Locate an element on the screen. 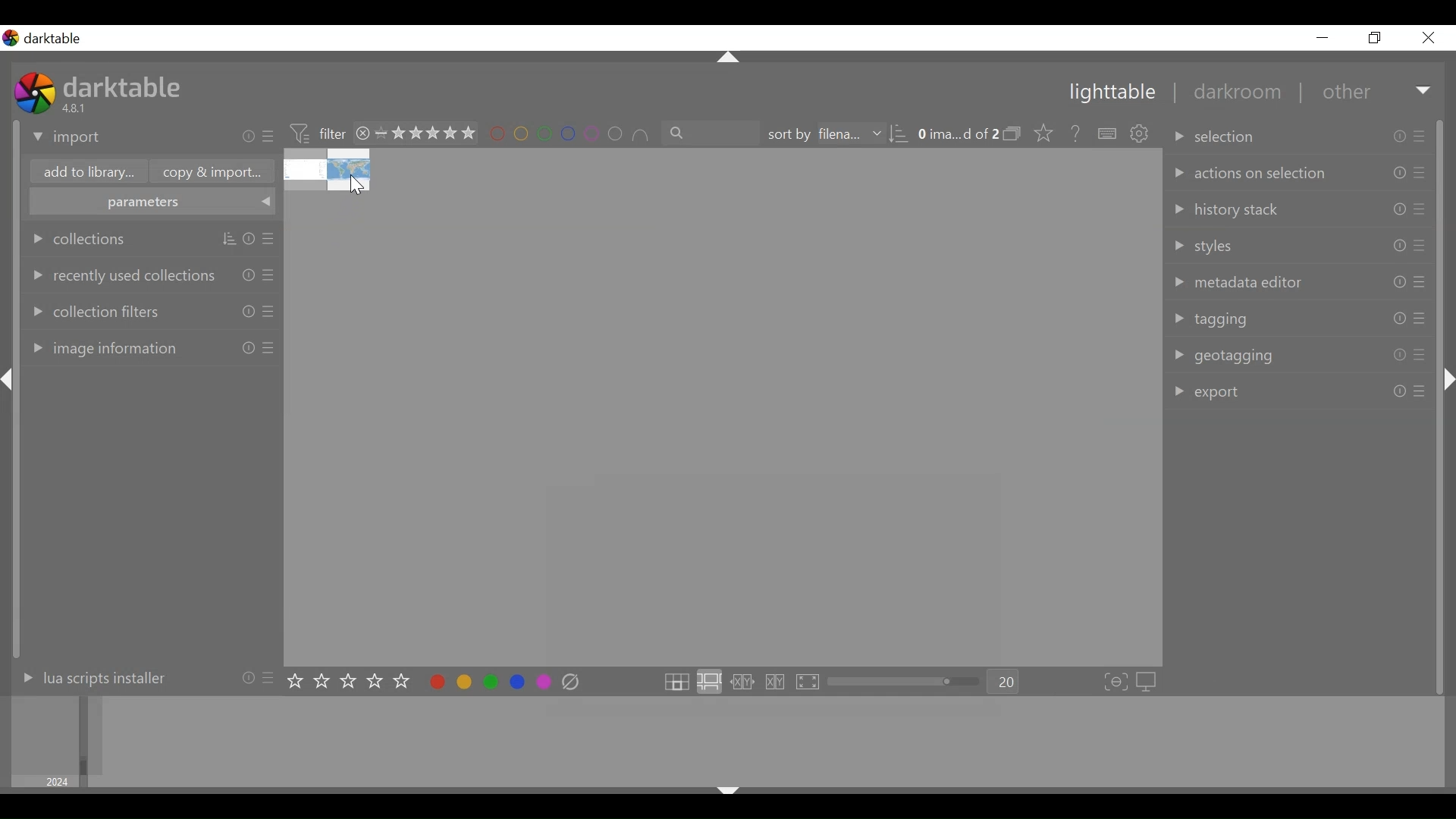  filter is located at coordinates (313, 133).